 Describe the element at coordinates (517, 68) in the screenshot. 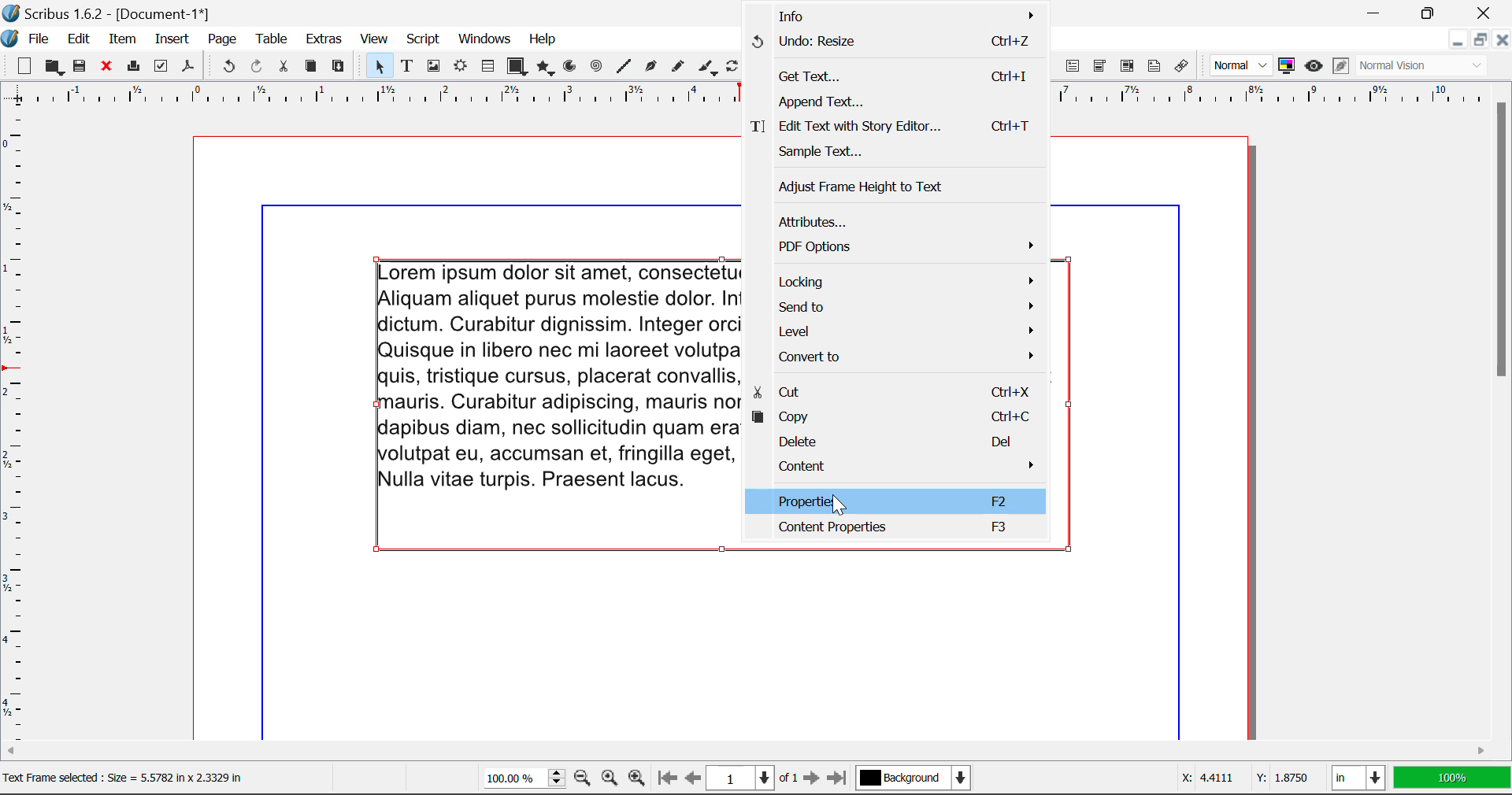

I see `Shapes` at that location.